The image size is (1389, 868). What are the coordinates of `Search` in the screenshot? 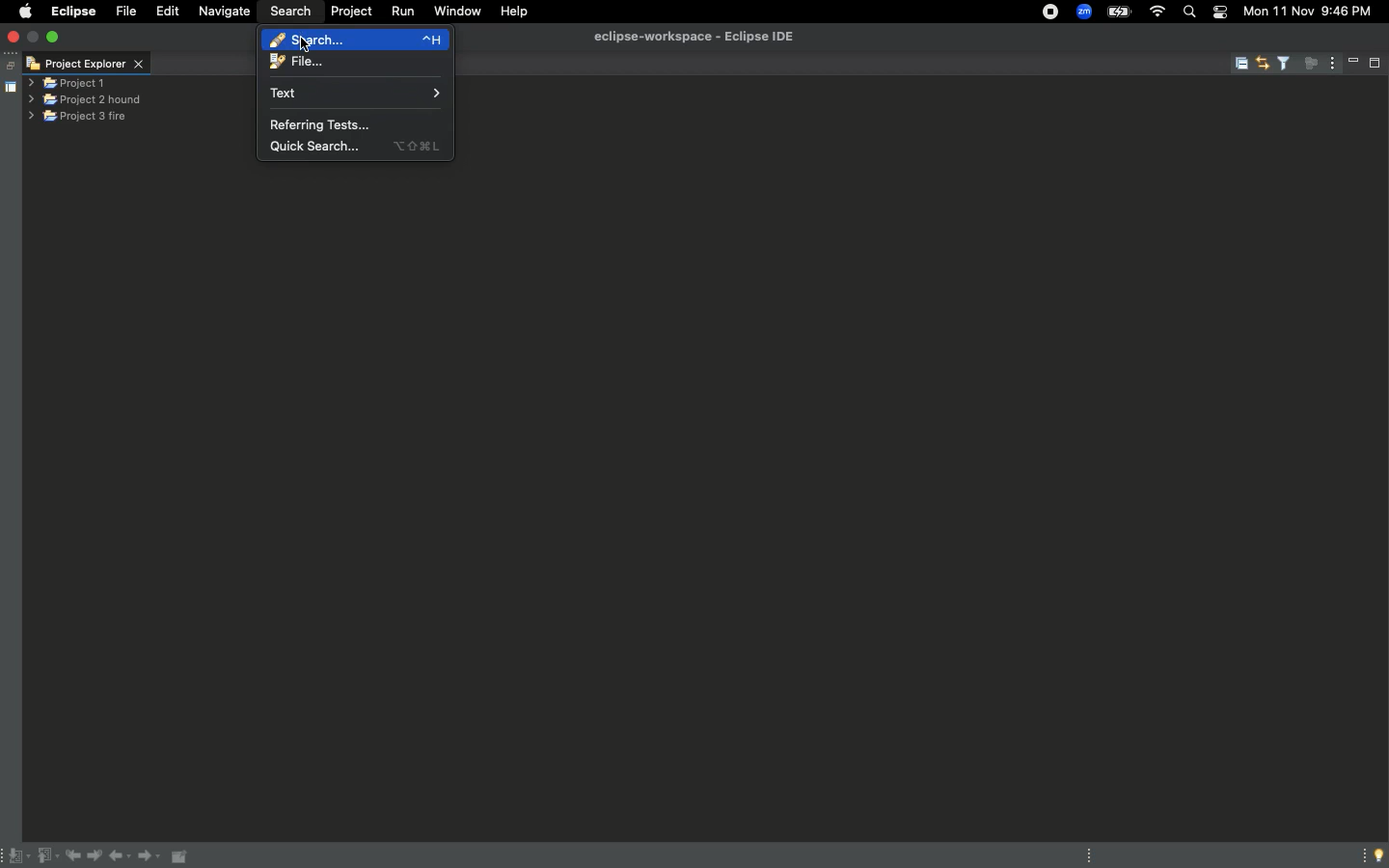 It's located at (1188, 13).